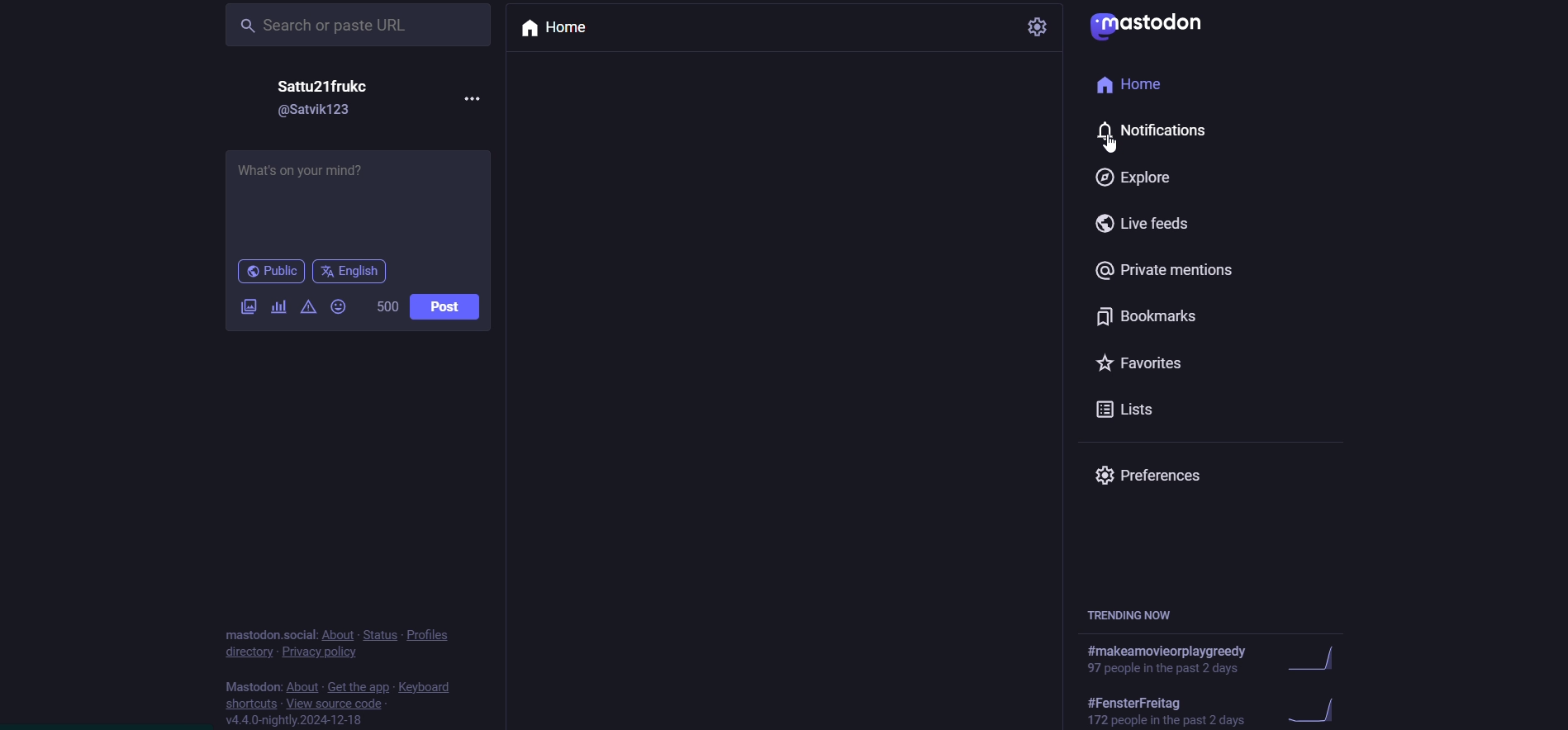 This screenshot has width=1568, height=730. What do you see at coordinates (1036, 27) in the screenshot?
I see `settings` at bounding box center [1036, 27].